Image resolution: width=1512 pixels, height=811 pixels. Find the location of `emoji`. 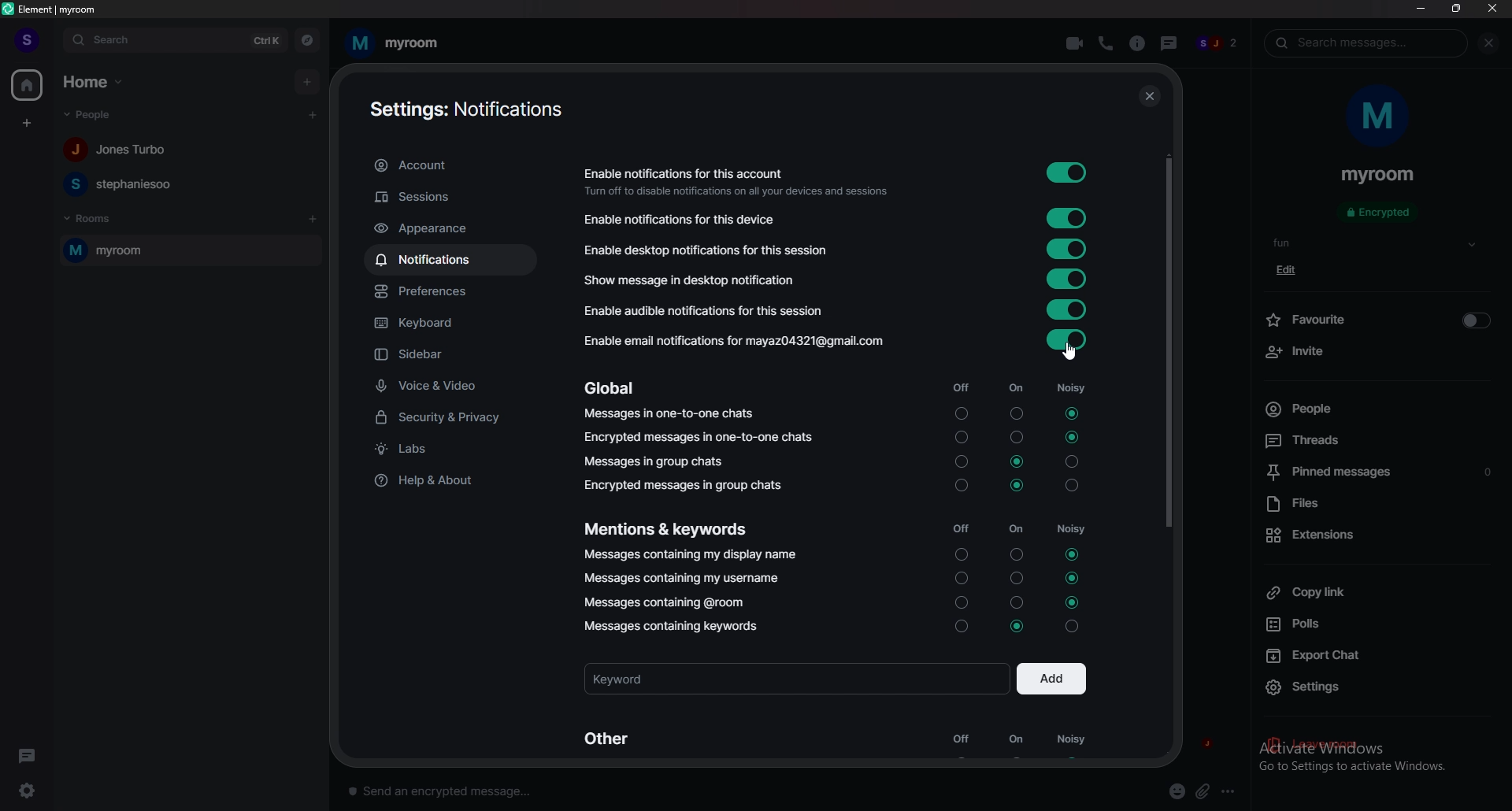

emoji is located at coordinates (1178, 792).